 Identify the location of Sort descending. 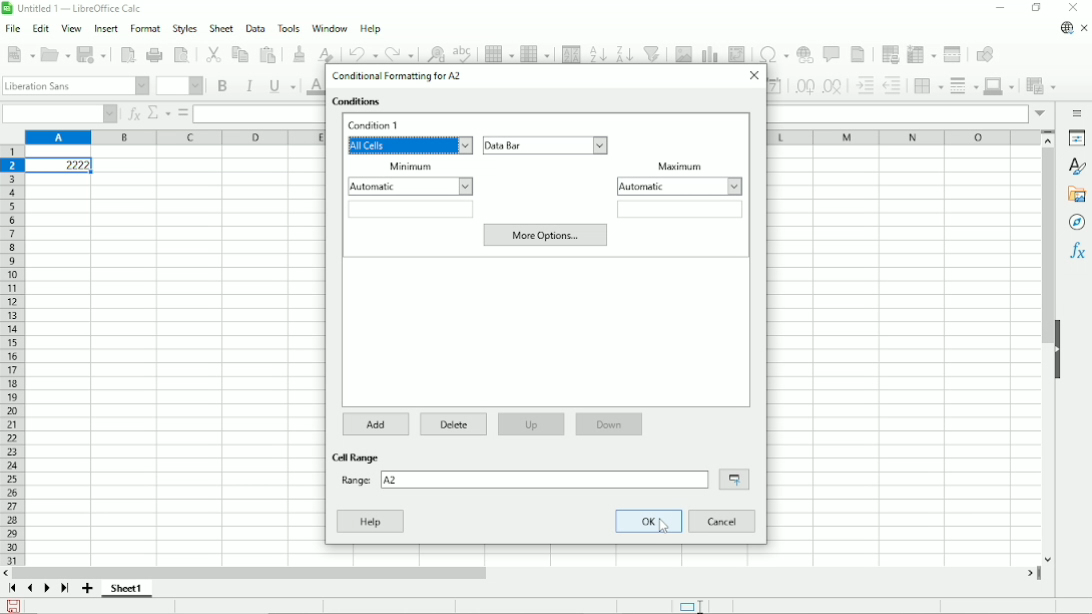
(623, 53).